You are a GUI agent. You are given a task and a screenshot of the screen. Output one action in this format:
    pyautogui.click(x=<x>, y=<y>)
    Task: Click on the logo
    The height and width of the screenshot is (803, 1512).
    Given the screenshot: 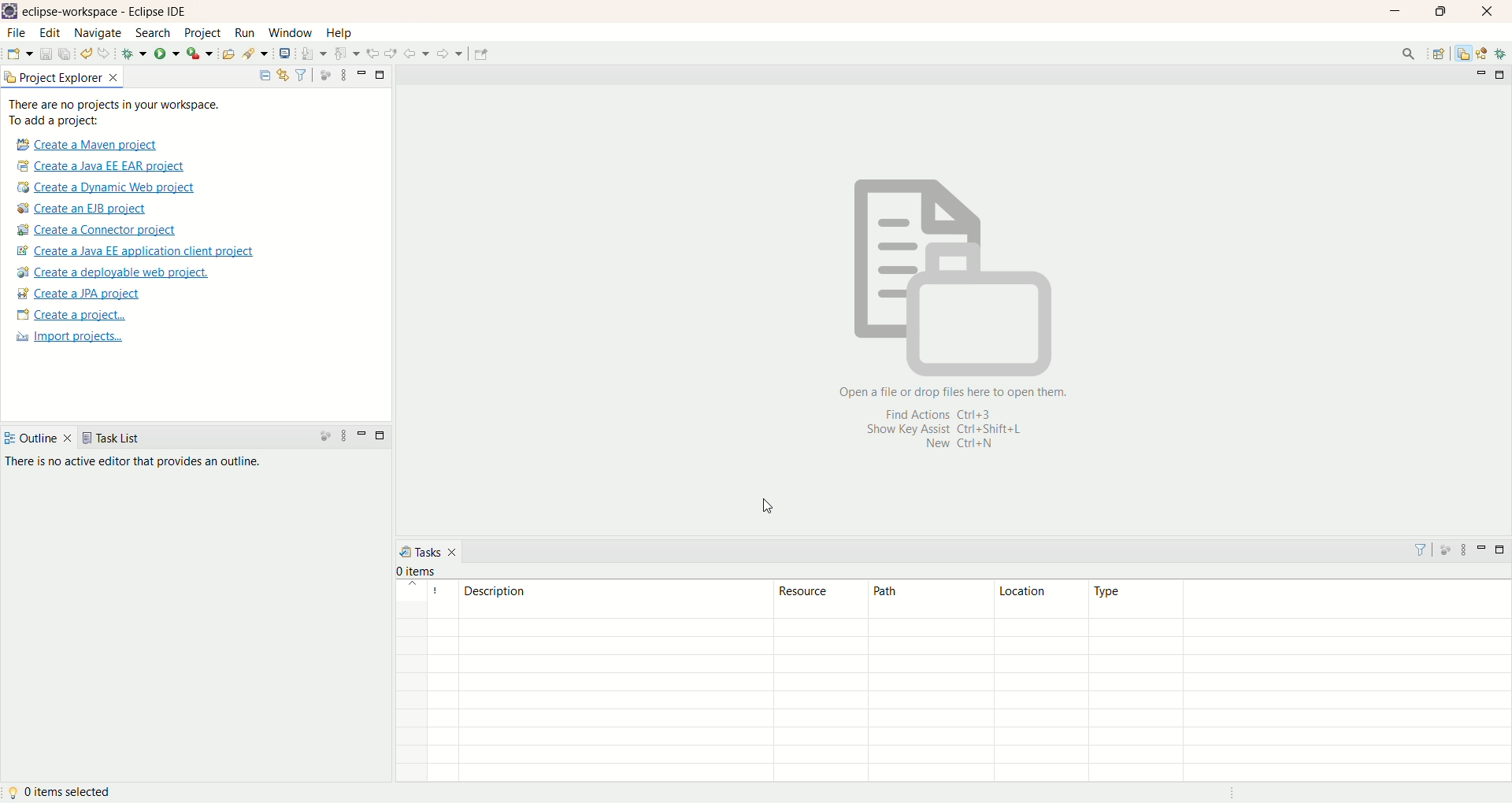 What is the action you would take?
    pyautogui.click(x=10, y=12)
    